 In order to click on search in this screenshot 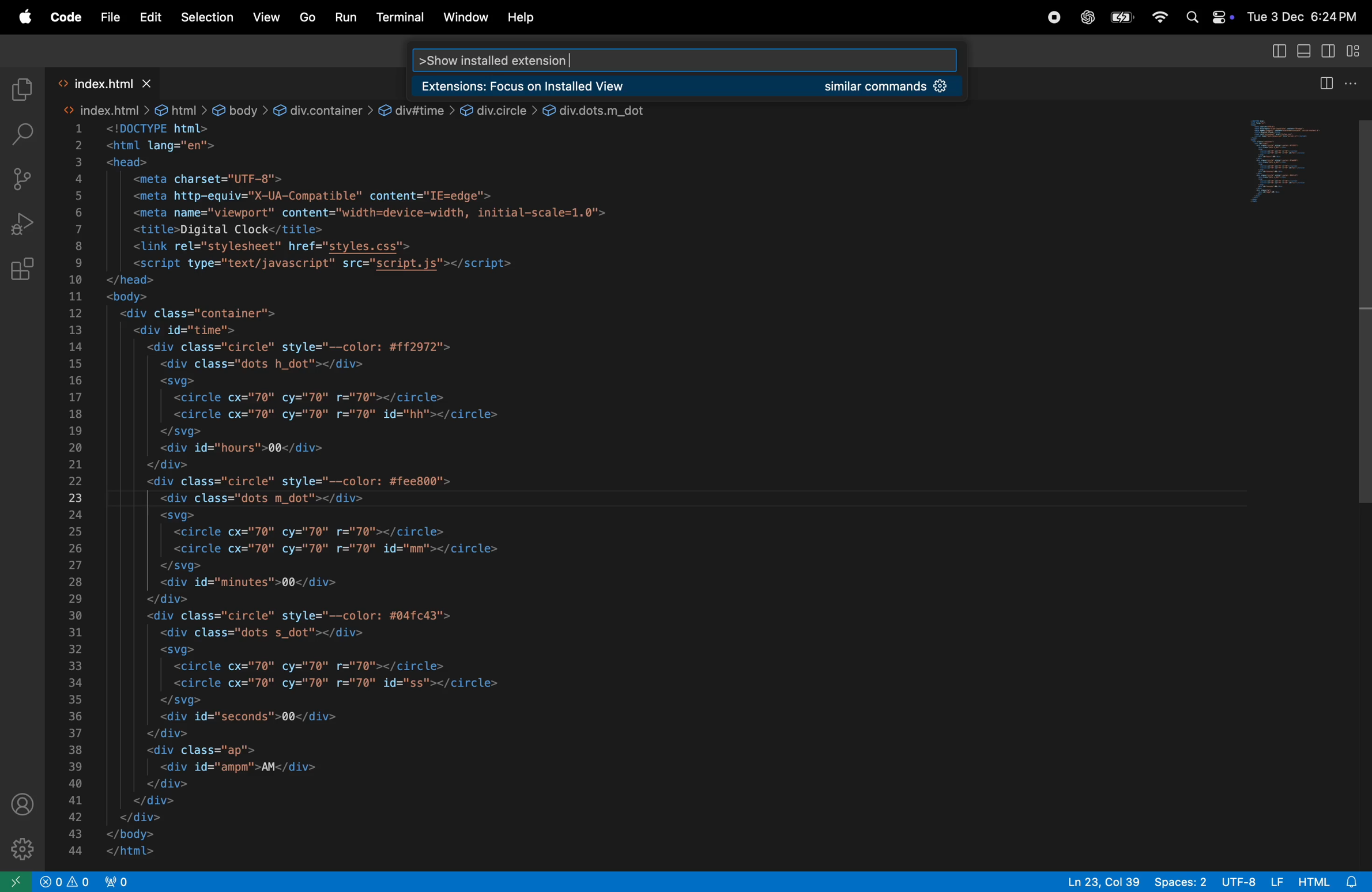, I will do `click(22, 130)`.